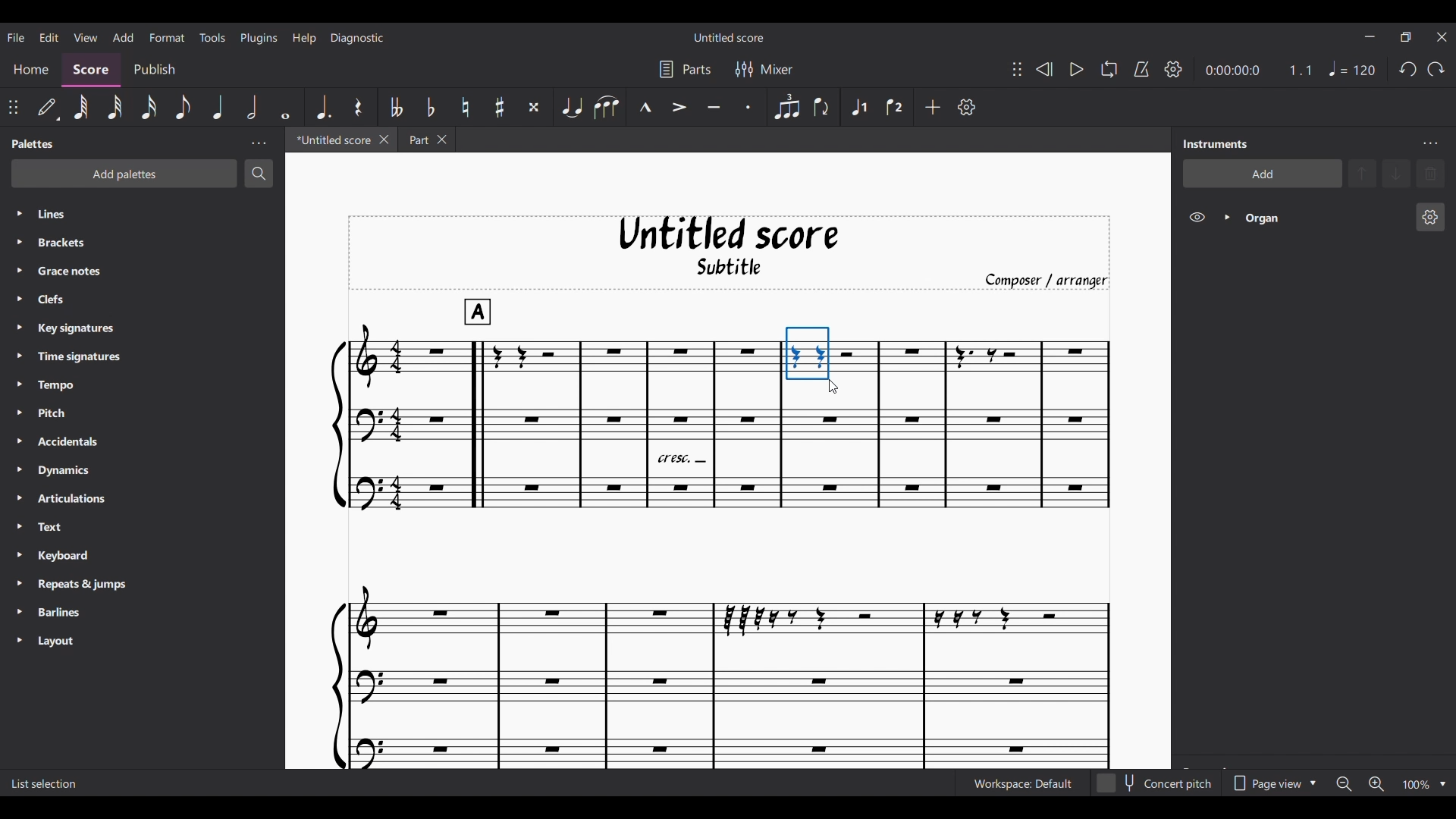 This screenshot has height=819, width=1456. Describe the element at coordinates (166, 35) in the screenshot. I see `Format menu` at that location.